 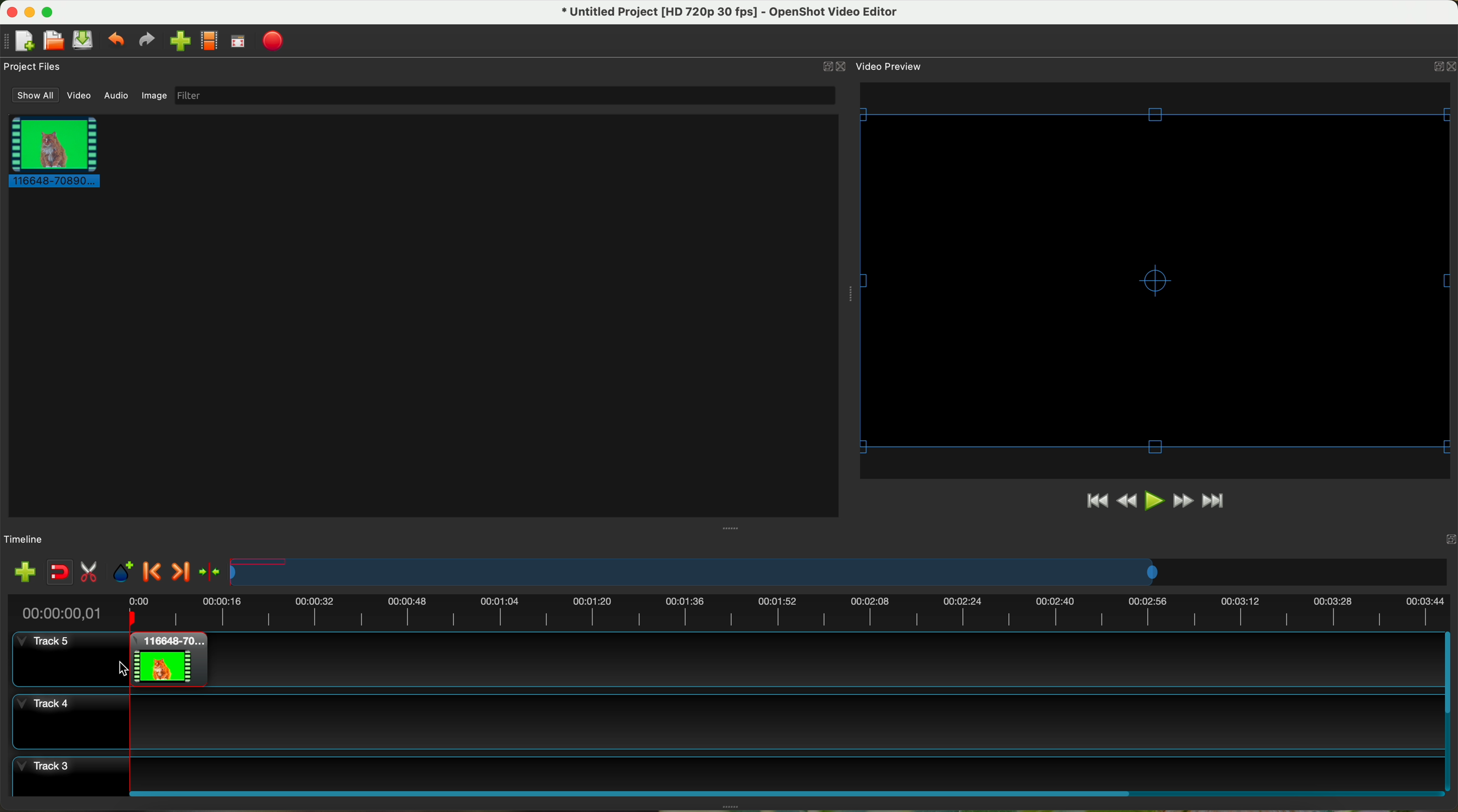 I want to click on full screen, so click(x=238, y=41).